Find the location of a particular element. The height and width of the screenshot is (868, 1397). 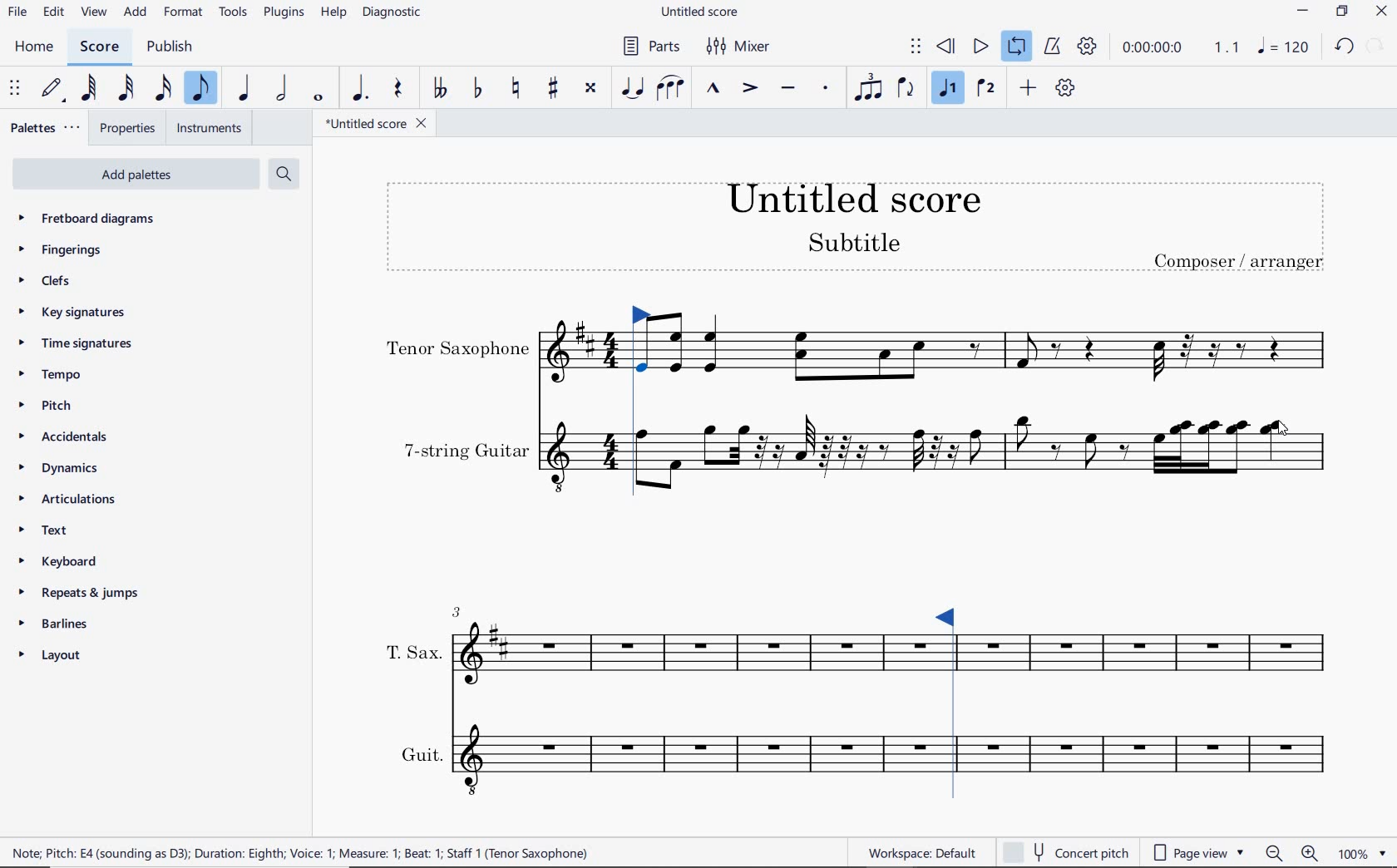

MARCATO is located at coordinates (713, 89).